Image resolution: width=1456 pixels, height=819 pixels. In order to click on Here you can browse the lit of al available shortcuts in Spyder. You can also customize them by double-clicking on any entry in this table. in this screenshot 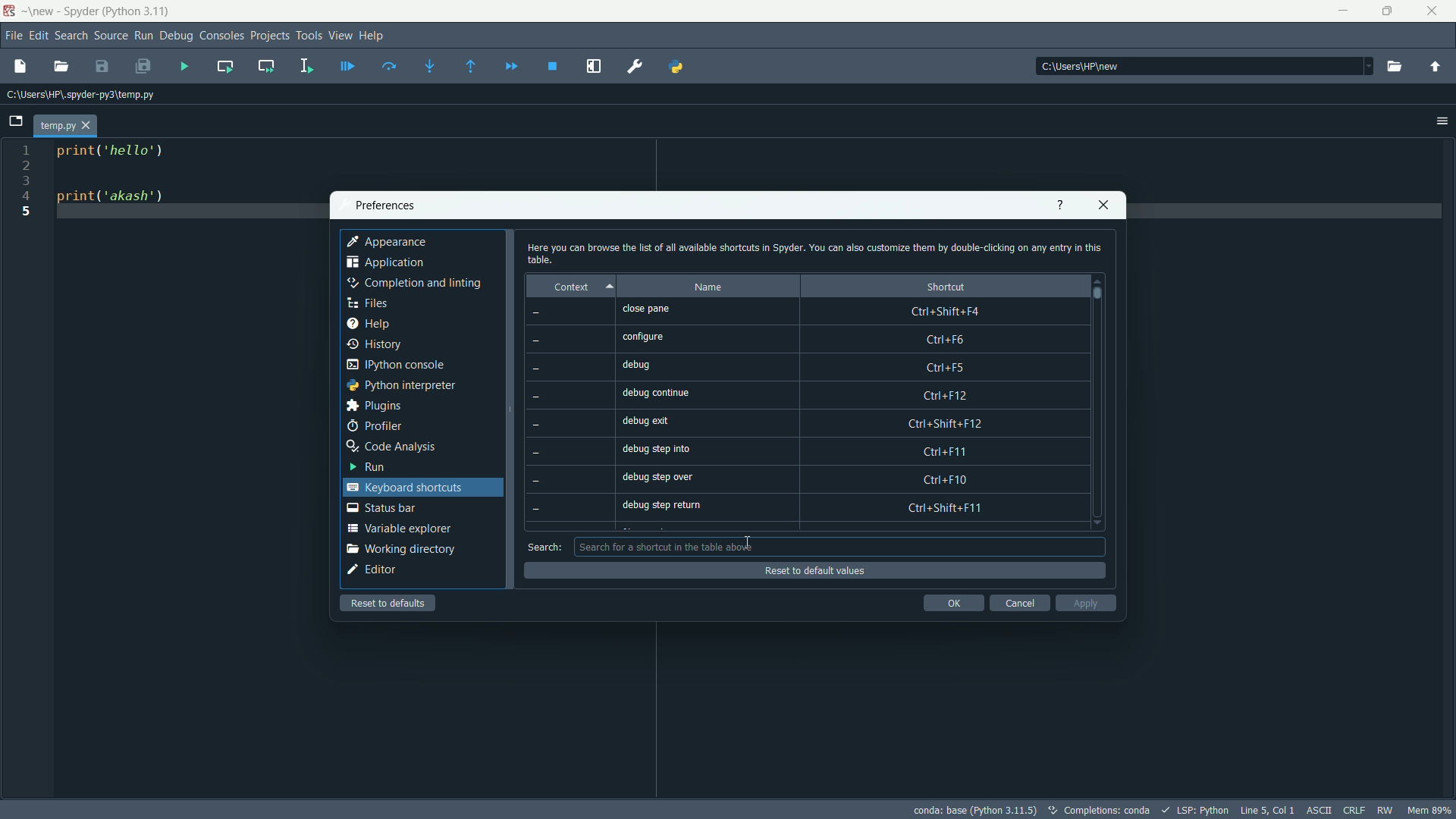, I will do `click(814, 252)`.